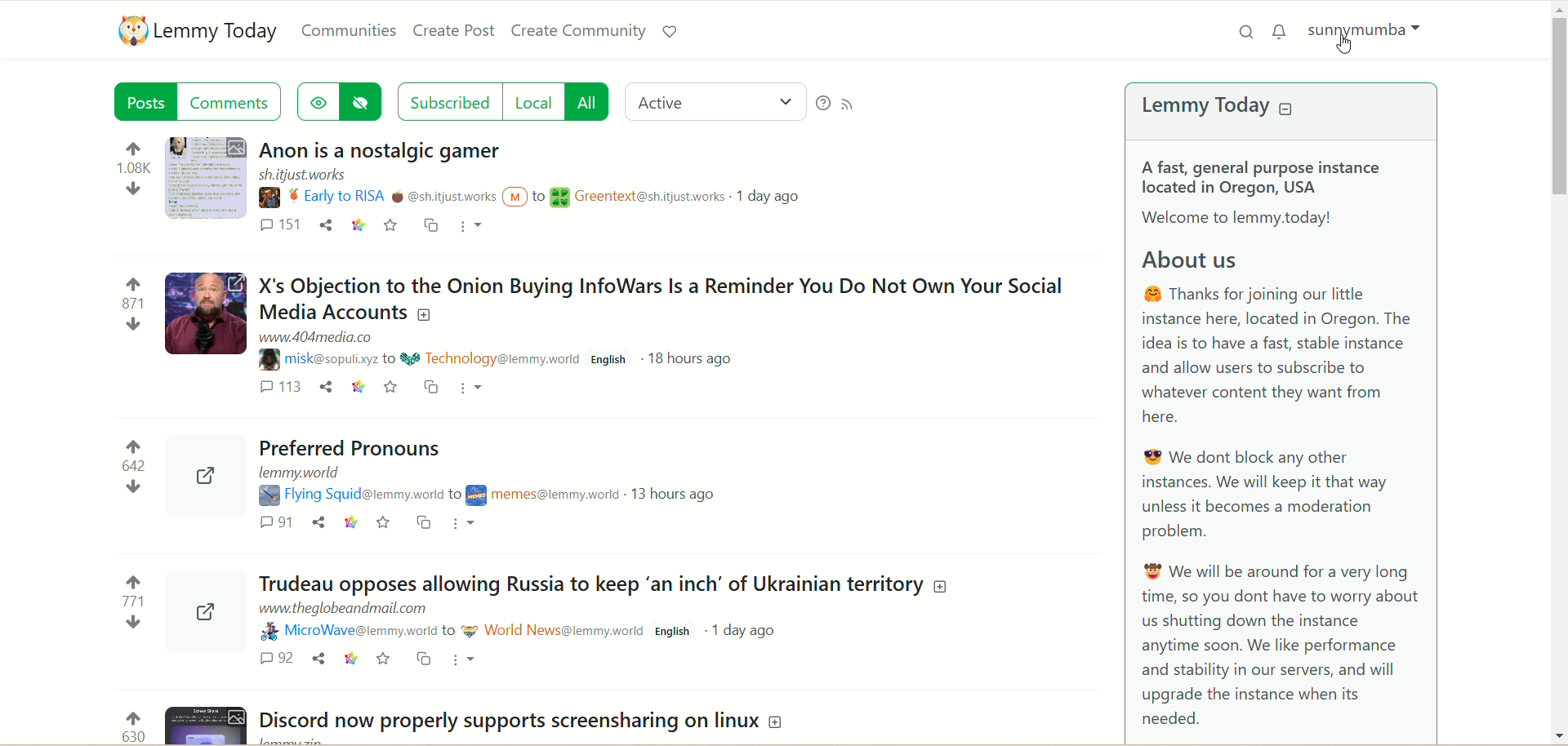  Describe the element at coordinates (318, 101) in the screenshot. I see `show hidden post` at that location.